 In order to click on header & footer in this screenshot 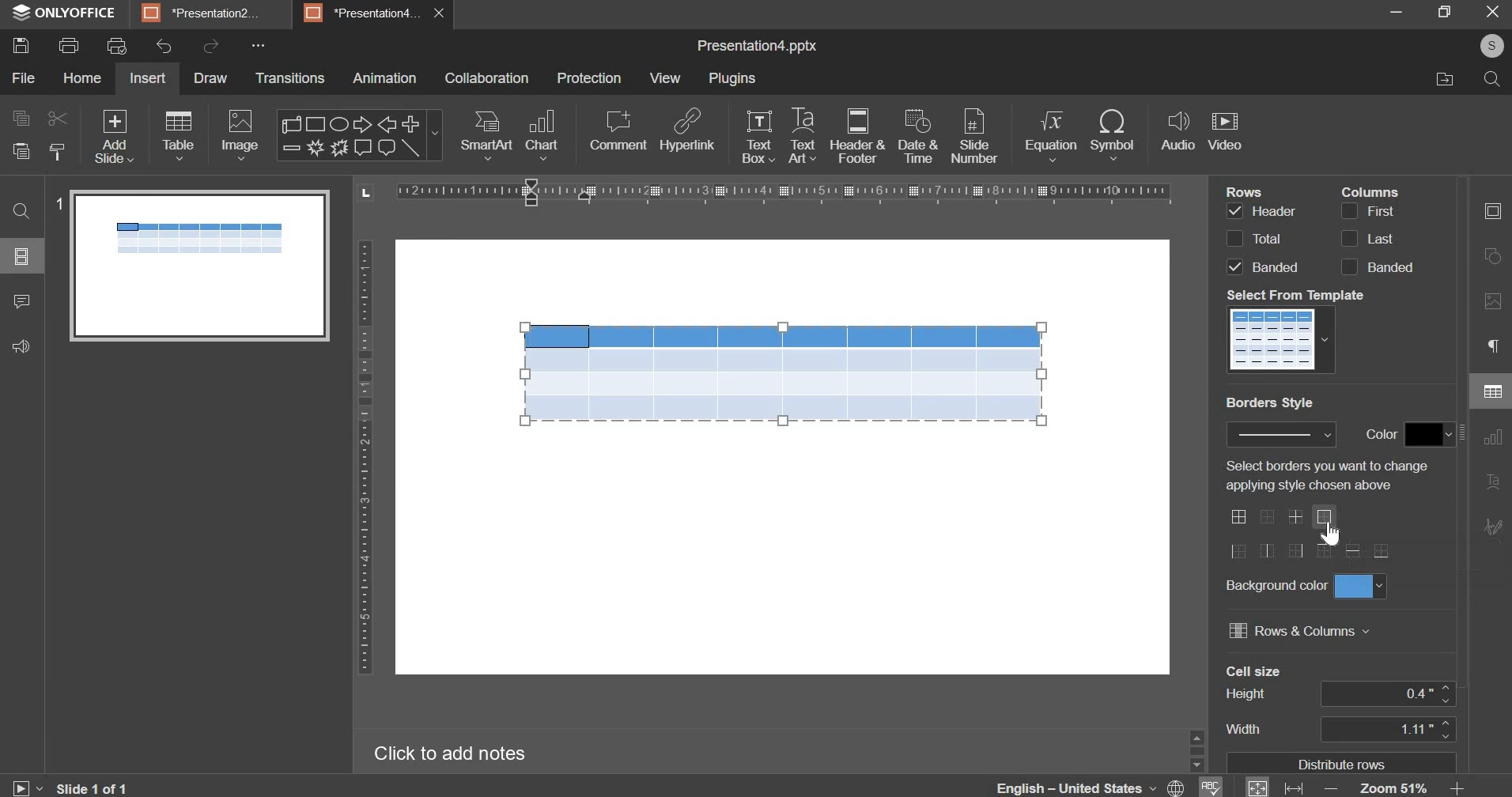, I will do `click(857, 136)`.